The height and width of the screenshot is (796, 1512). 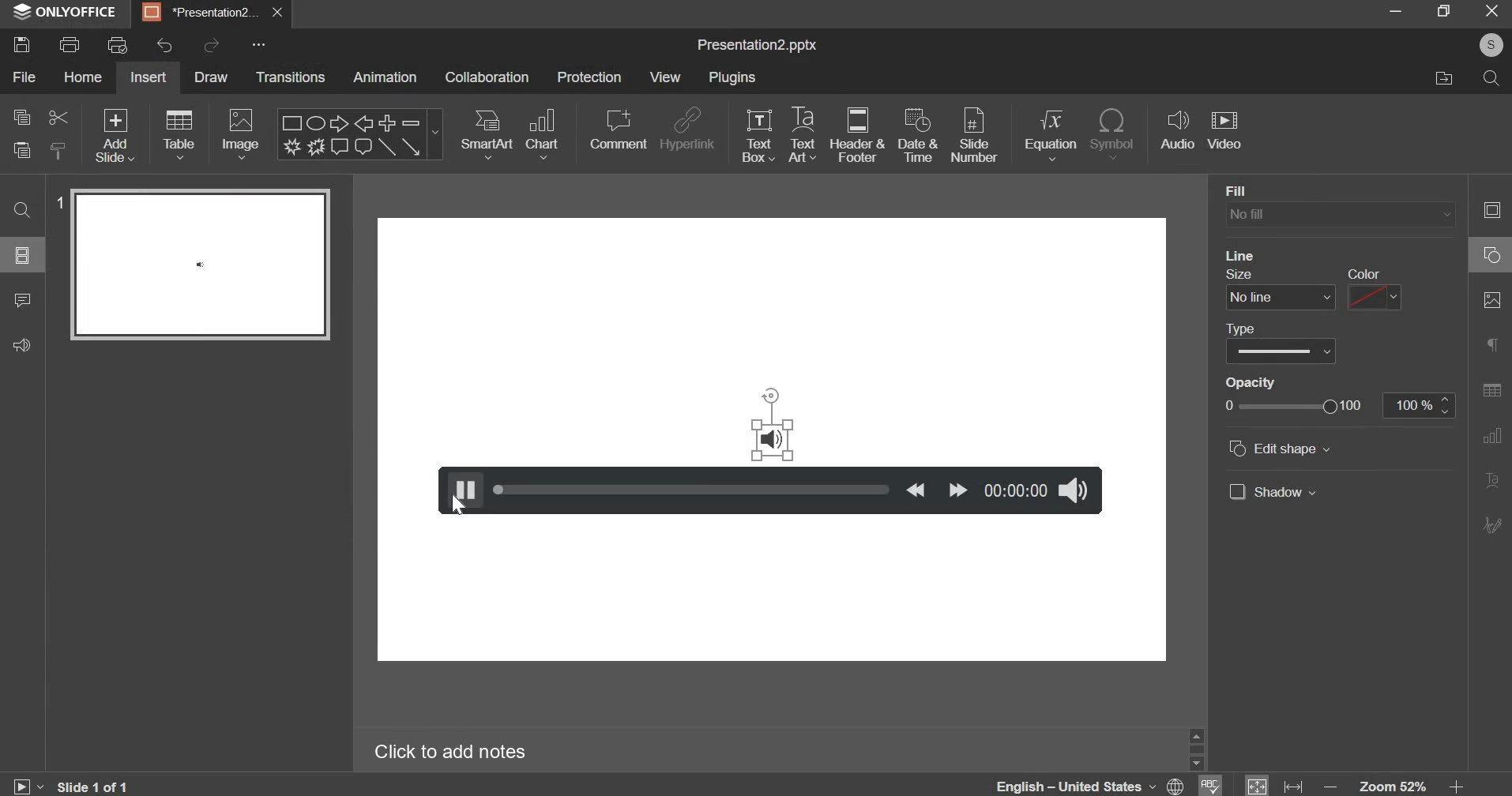 What do you see at coordinates (1491, 343) in the screenshot?
I see `paragraph settings` at bounding box center [1491, 343].